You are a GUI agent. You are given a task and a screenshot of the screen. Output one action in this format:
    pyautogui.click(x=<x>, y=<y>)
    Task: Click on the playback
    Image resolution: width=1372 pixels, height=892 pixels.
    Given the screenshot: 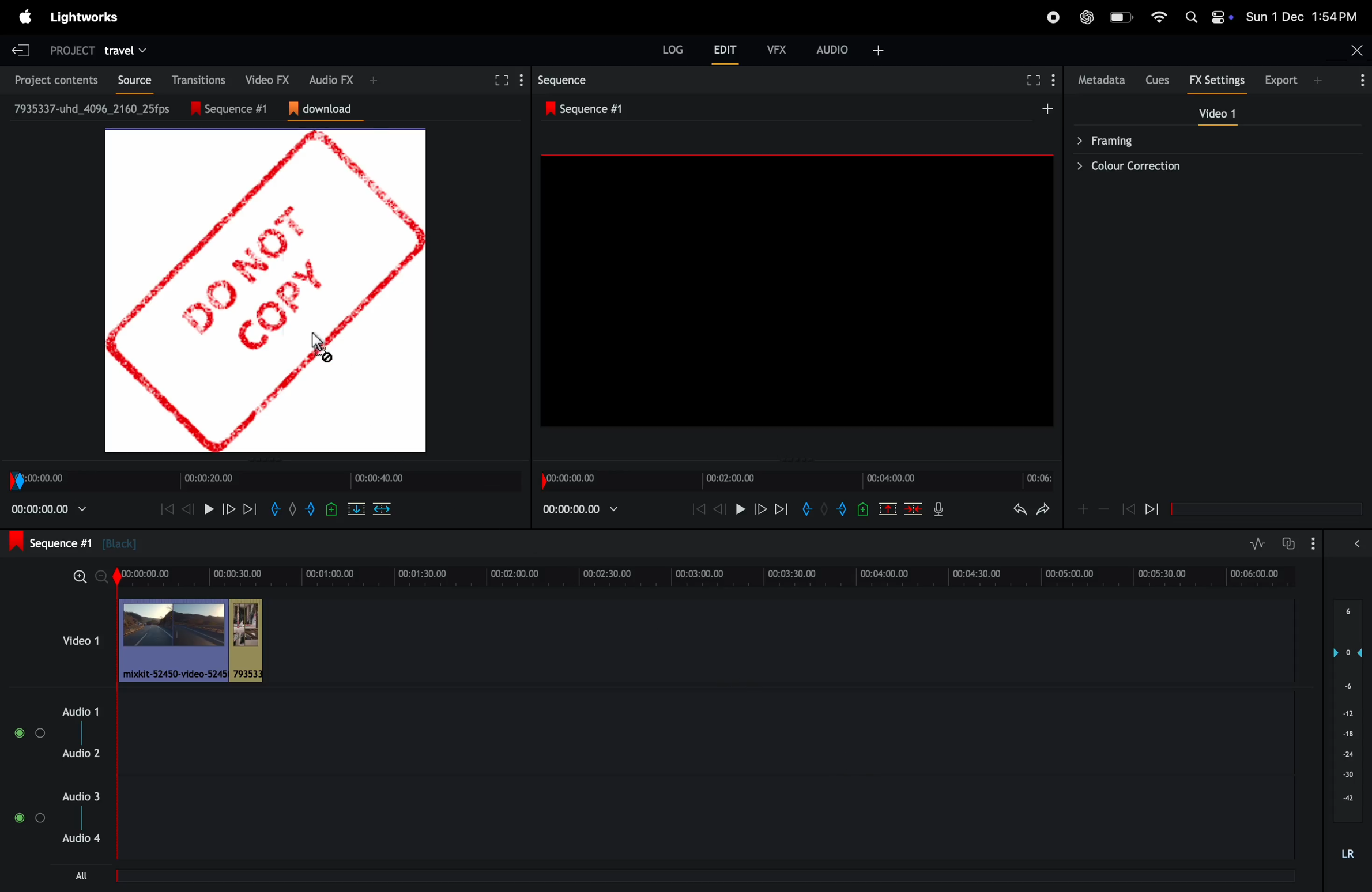 What is the action you would take?
    pyautogui.click(x=49, y=509)
    